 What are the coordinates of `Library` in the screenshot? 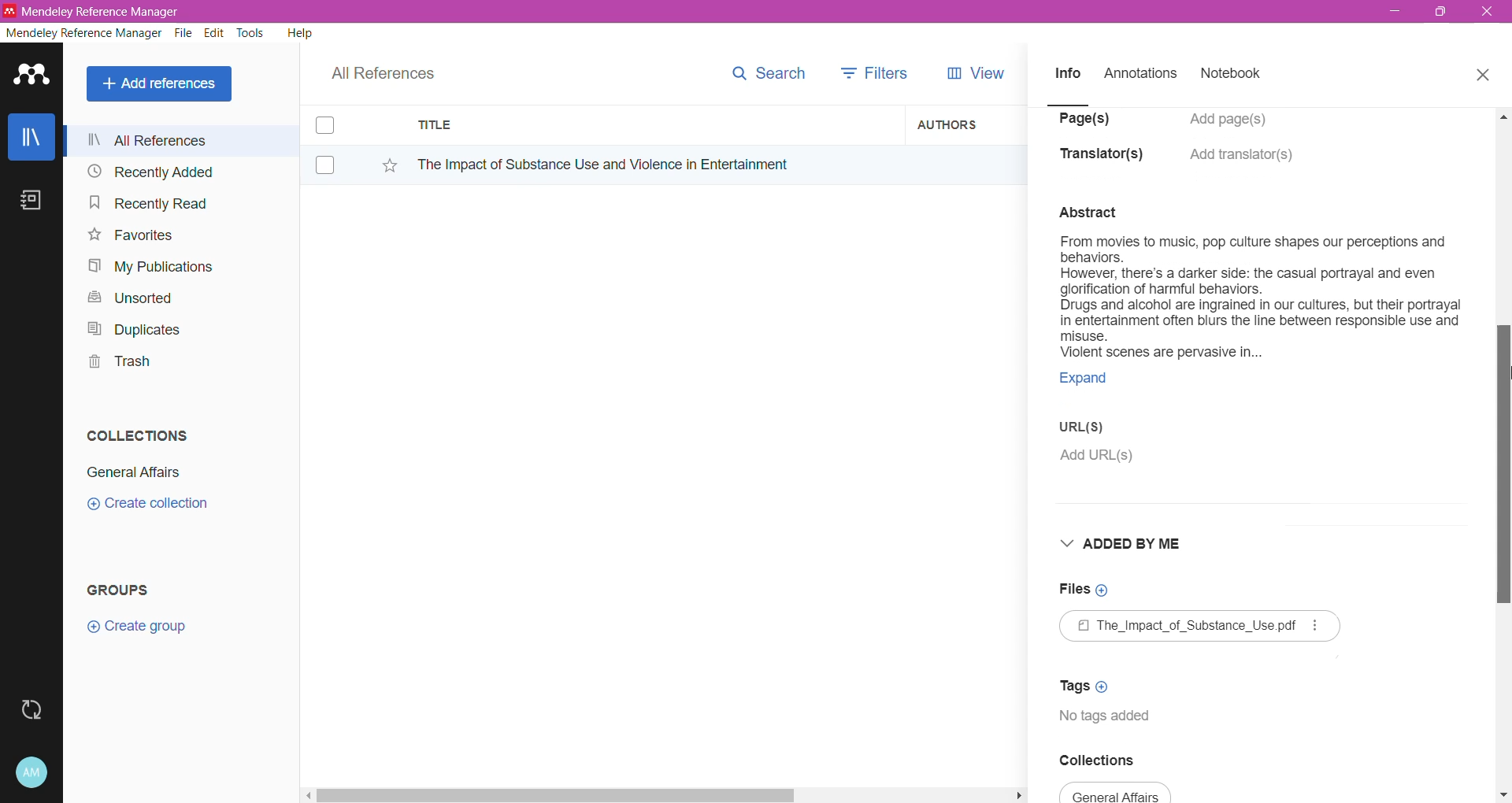 It's located at (31, 139).